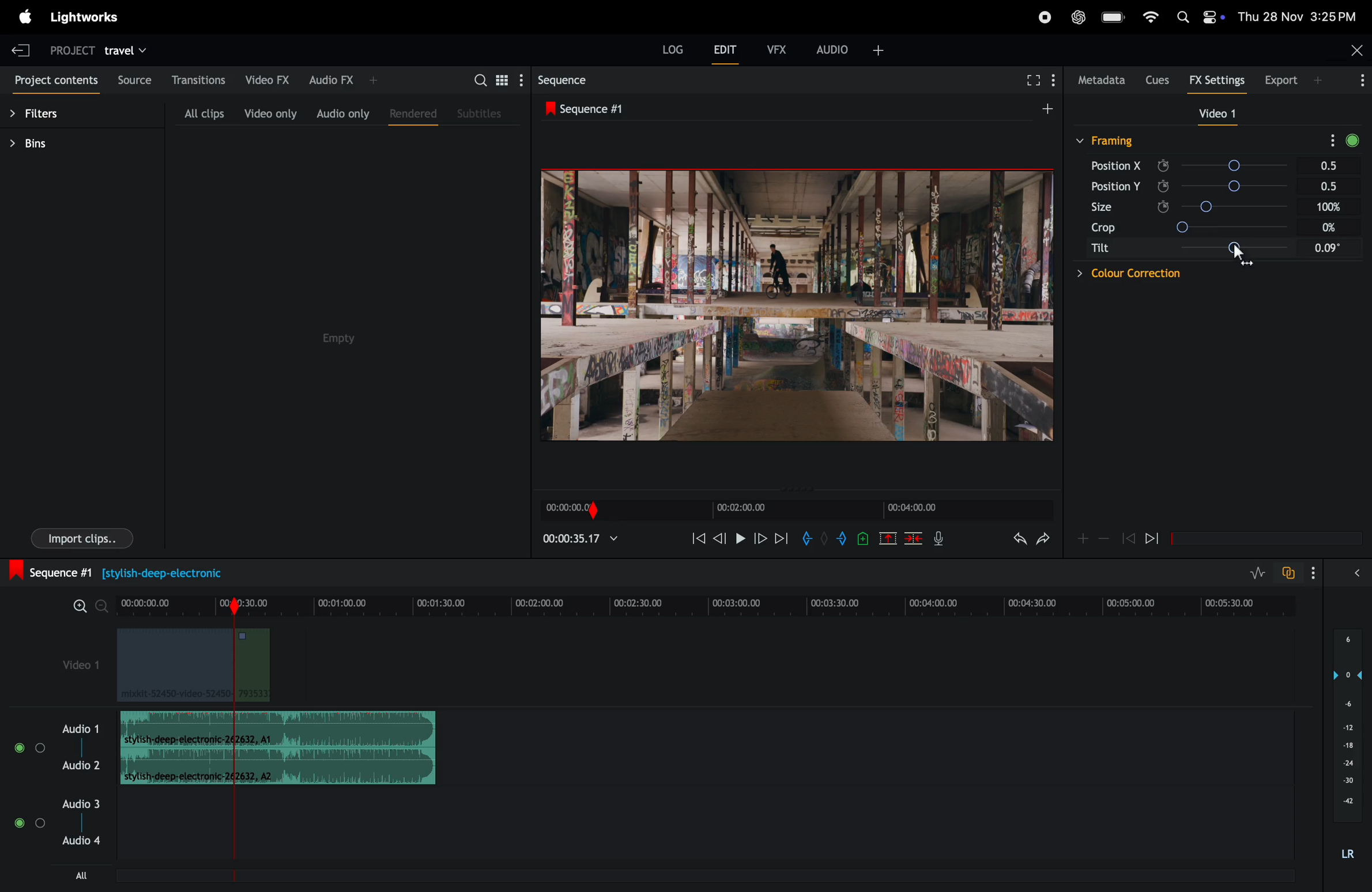 This screenshot has height=892, width=1372. What do you see at coordinates (70, 662) in the screenshot?
I see `video 1` at bounding box center [70, 662].